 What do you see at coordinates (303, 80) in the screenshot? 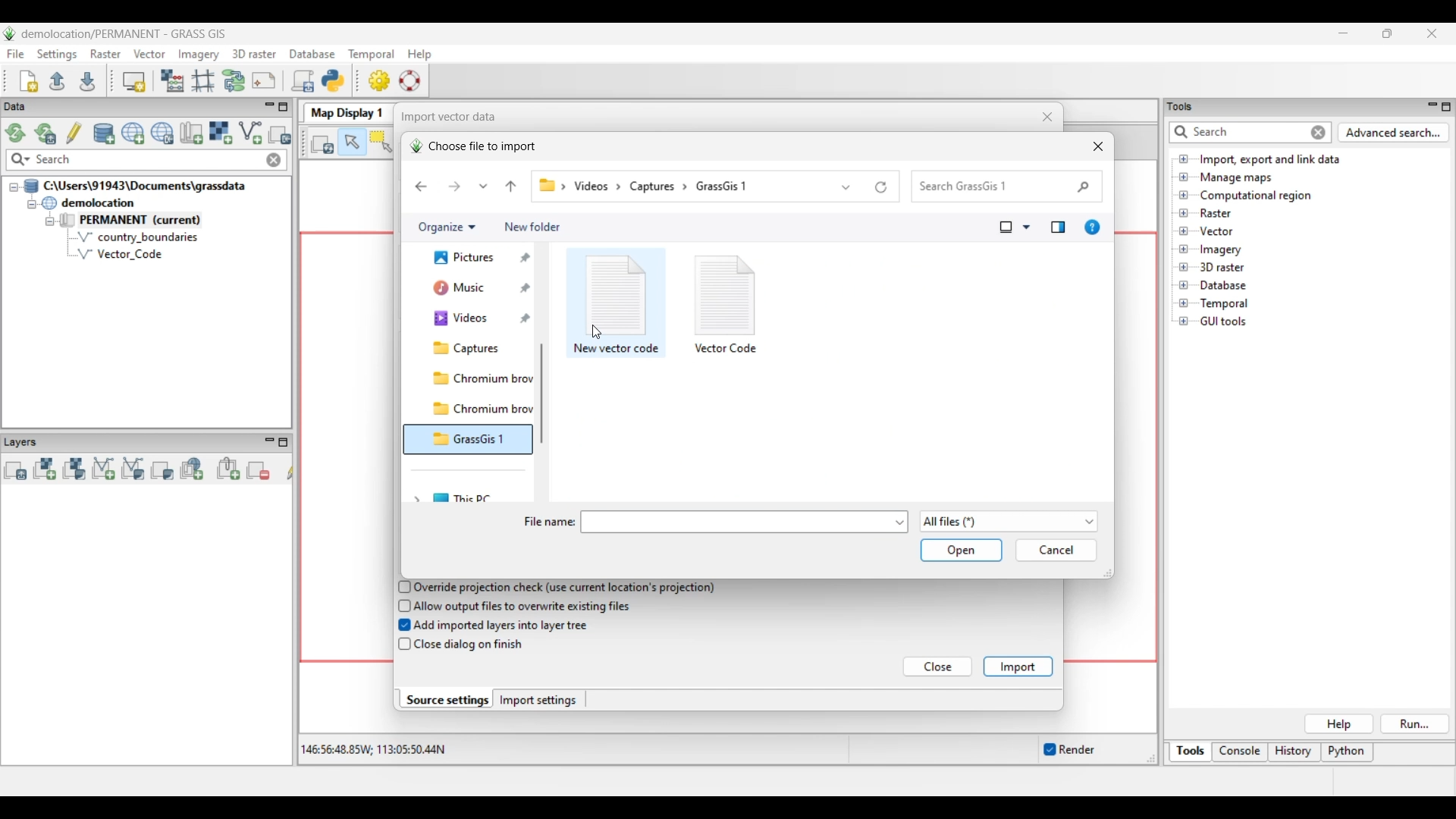
I see `Launch user-defined script` at bounding box center [303, 80].